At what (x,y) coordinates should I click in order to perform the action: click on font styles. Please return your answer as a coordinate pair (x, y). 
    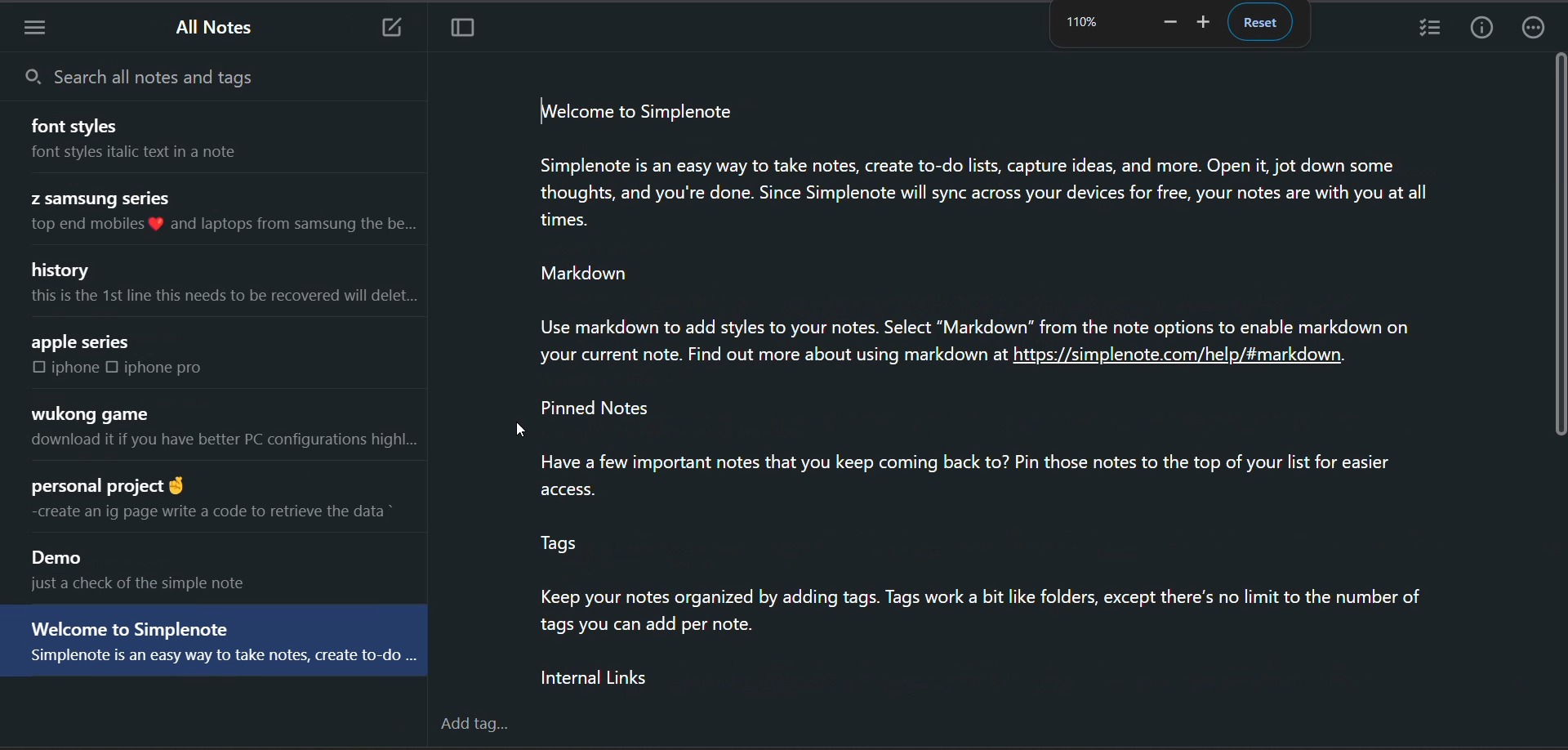
    Looking at the image, I should click on (80, 126).